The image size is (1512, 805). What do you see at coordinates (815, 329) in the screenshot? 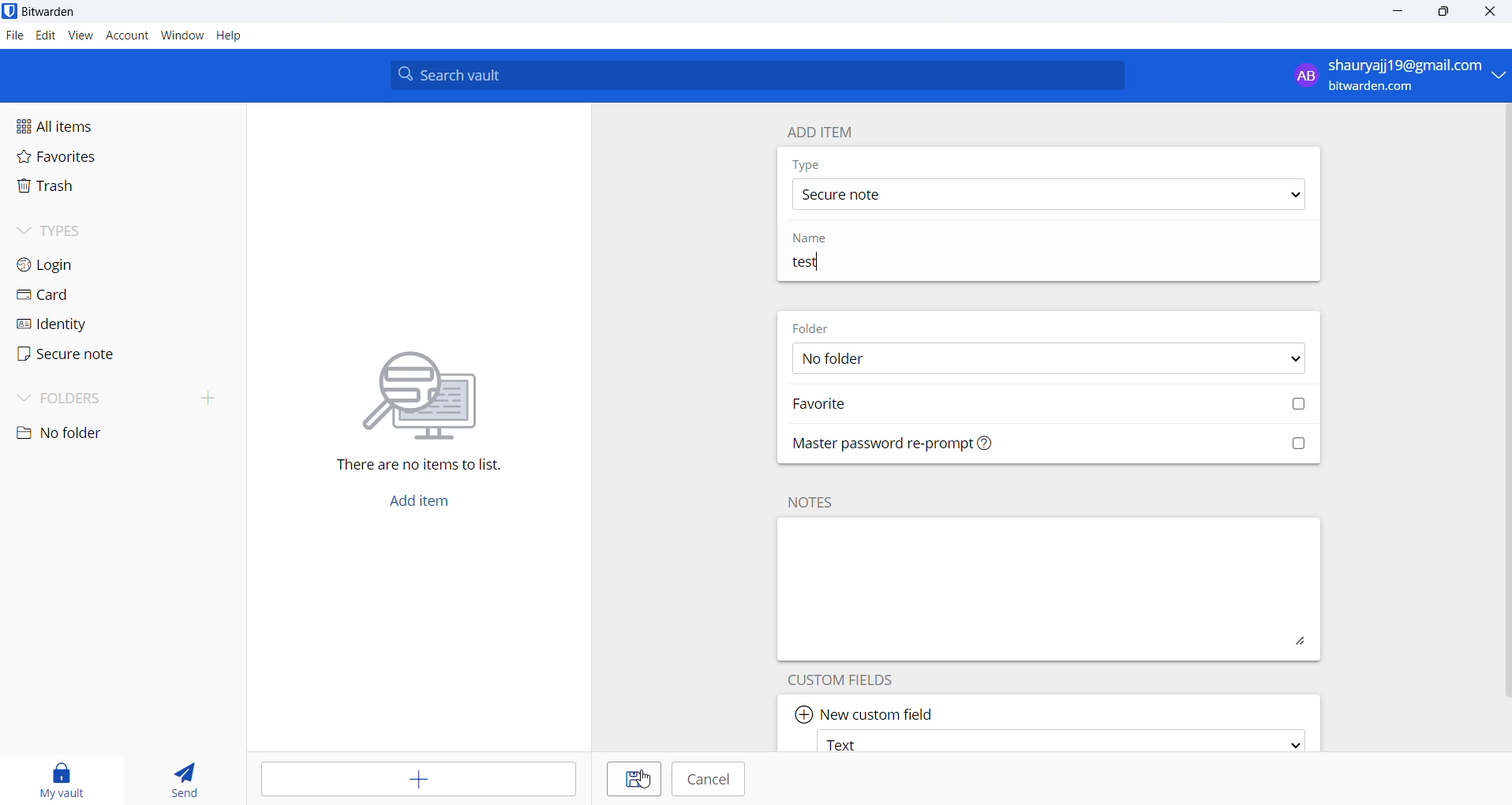
I see `` at bounding box center [815, 329].